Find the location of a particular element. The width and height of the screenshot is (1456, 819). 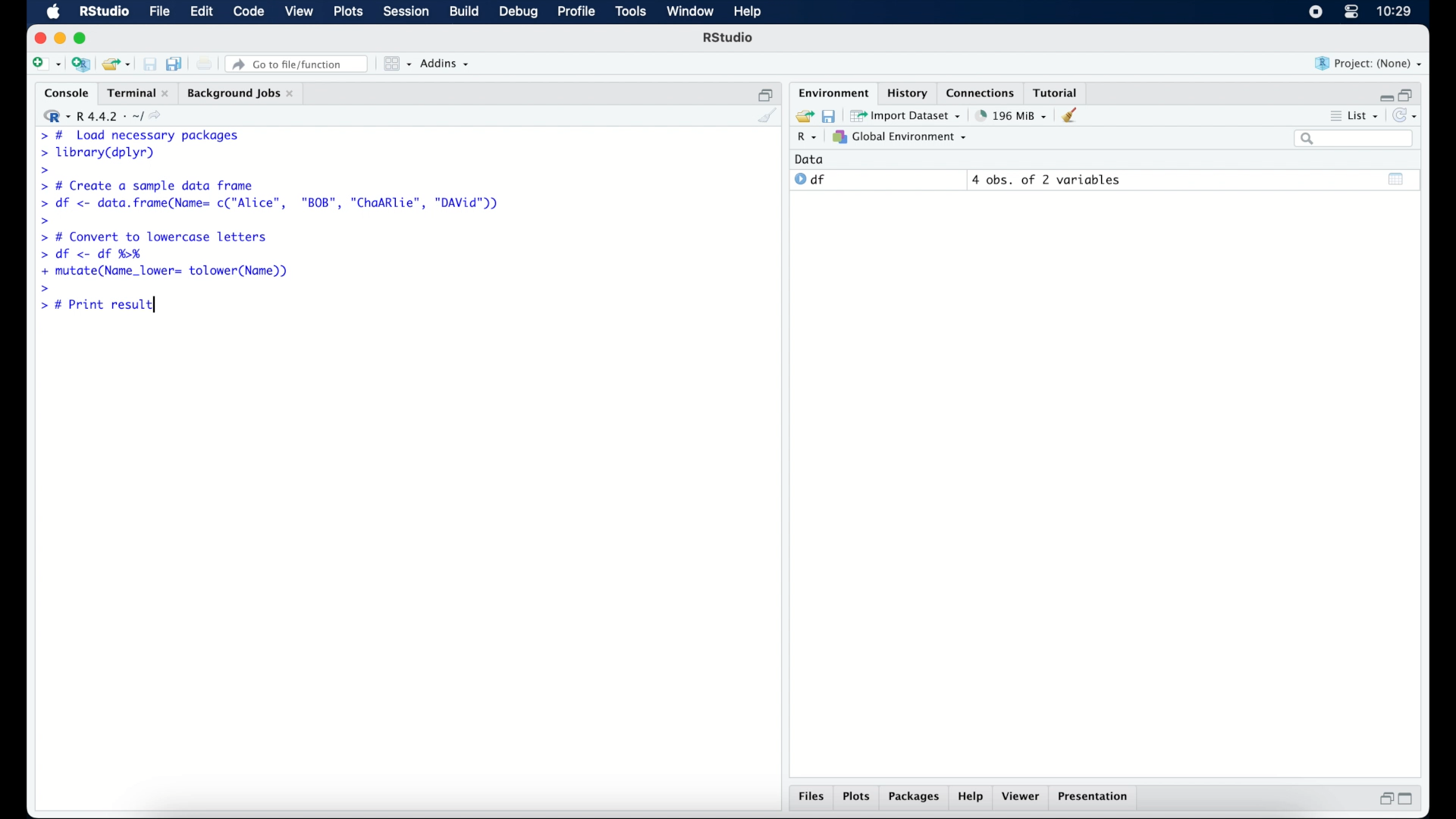

screen recorder icon is located at coordinates (1314, 12).